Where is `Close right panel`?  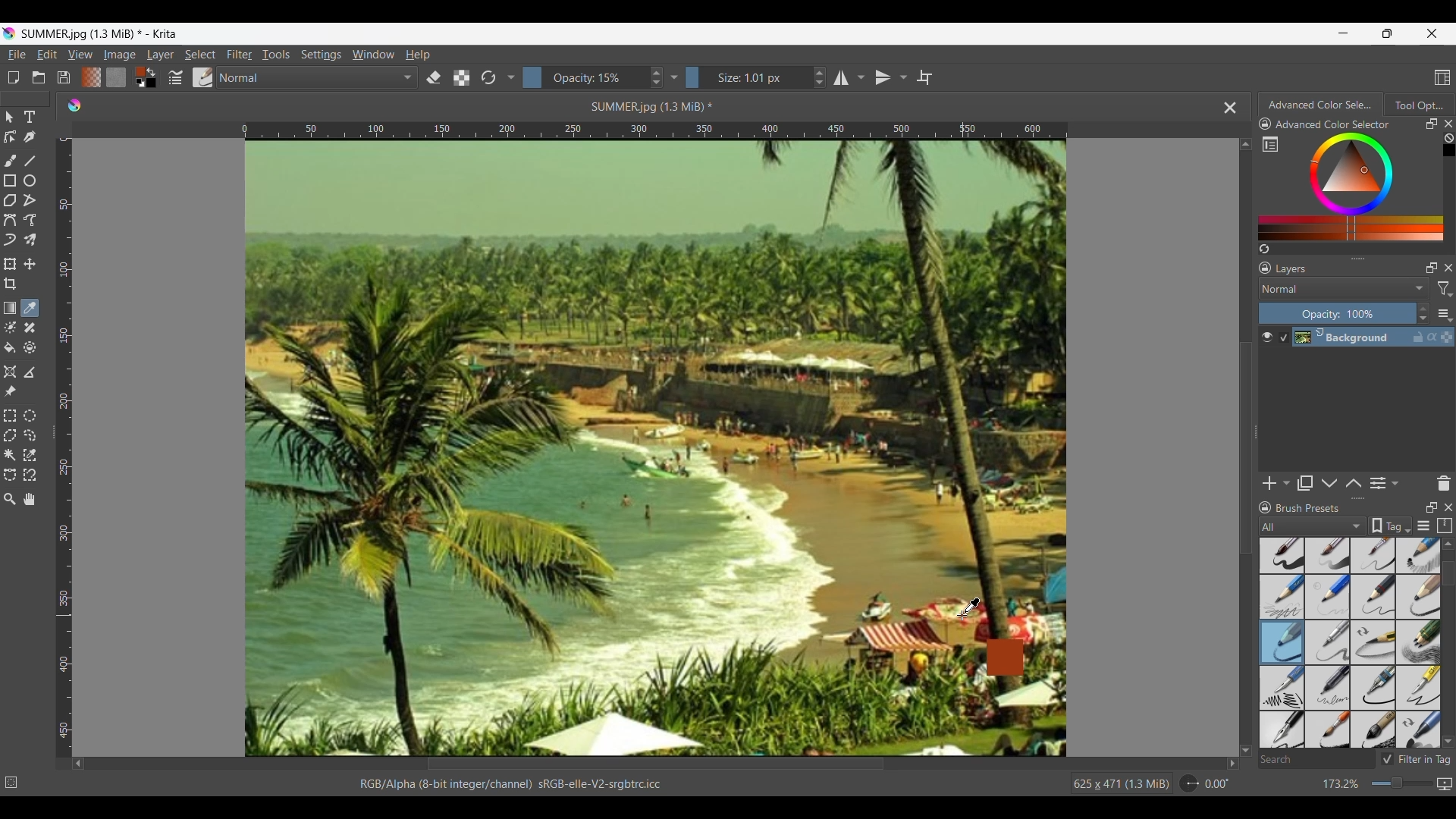 Close right panel is located at coordinates (1448, 124).